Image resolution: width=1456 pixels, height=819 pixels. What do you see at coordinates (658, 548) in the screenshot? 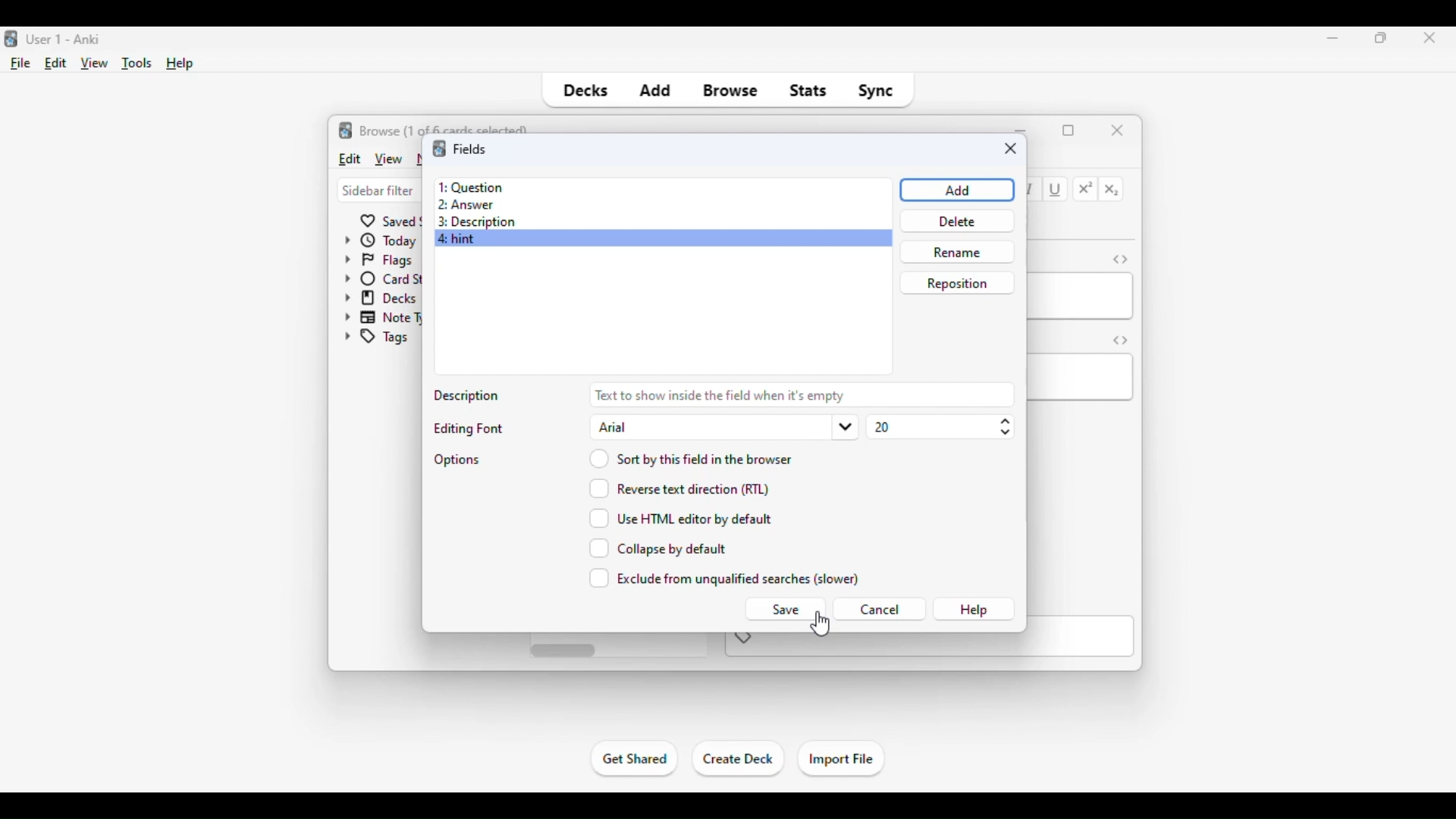
I see `collapse by default` at bounding box center [658, 548].